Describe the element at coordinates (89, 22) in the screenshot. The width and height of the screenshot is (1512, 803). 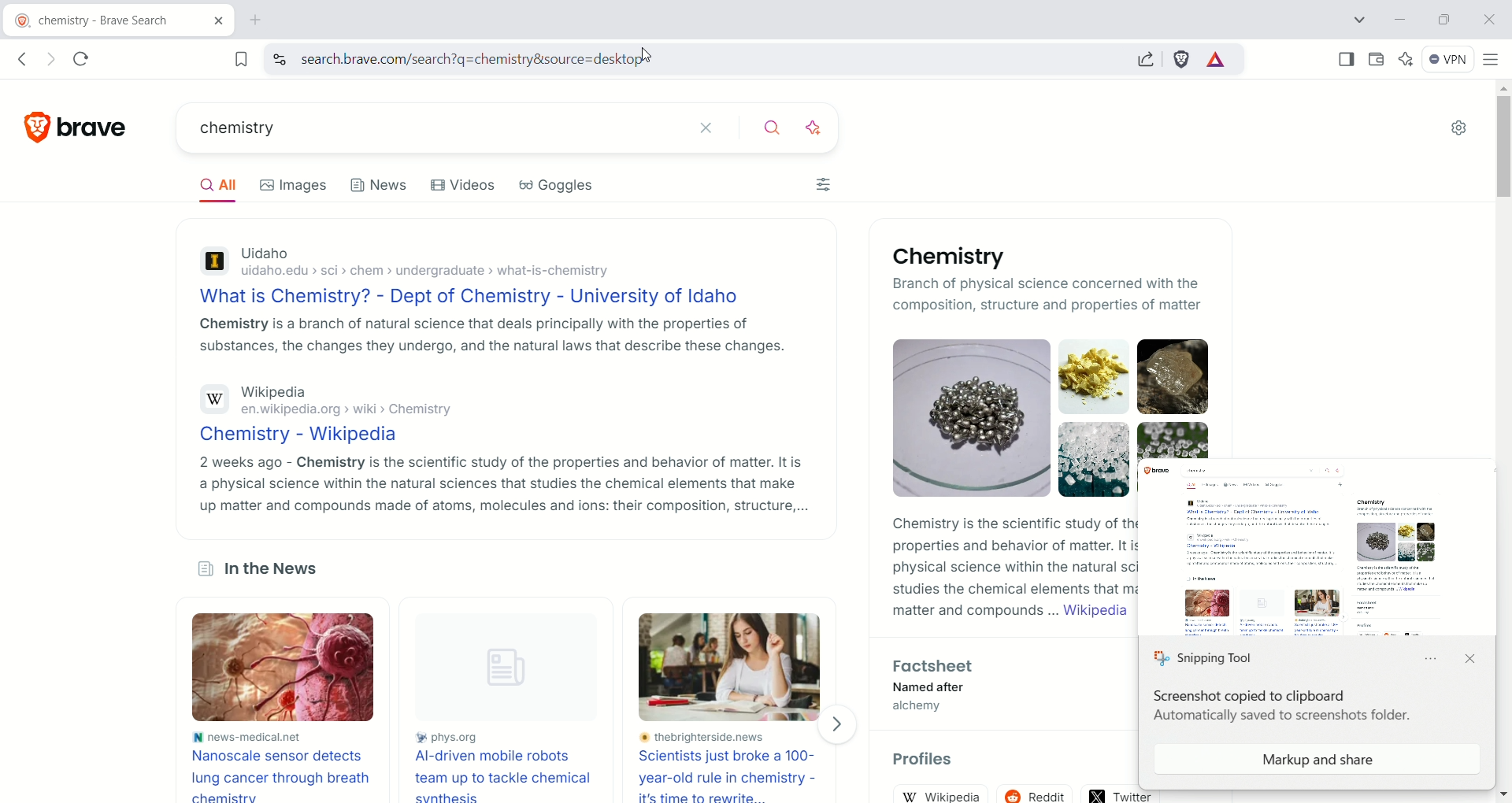
I see `chemistry - brave search` at that location.